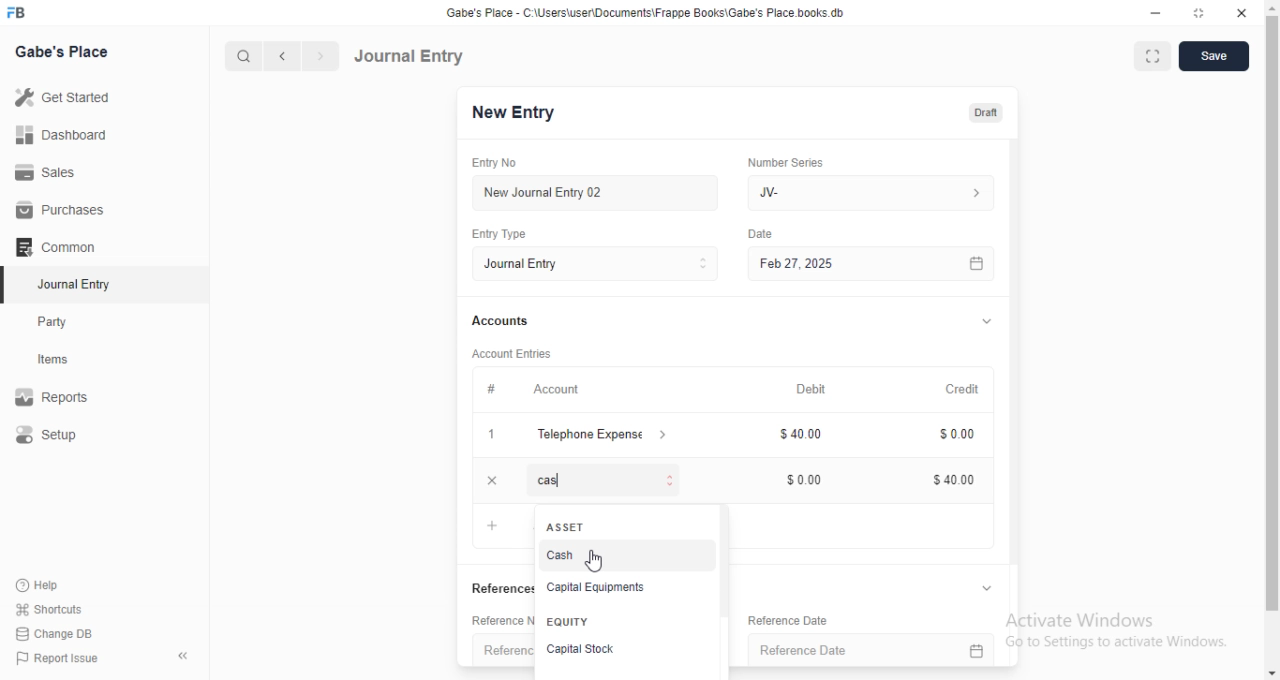 The height and width of the screenshot is (680, 1280). Describe the element at coordinates (772, 232) in the screenshot. I see `Date` at that location.